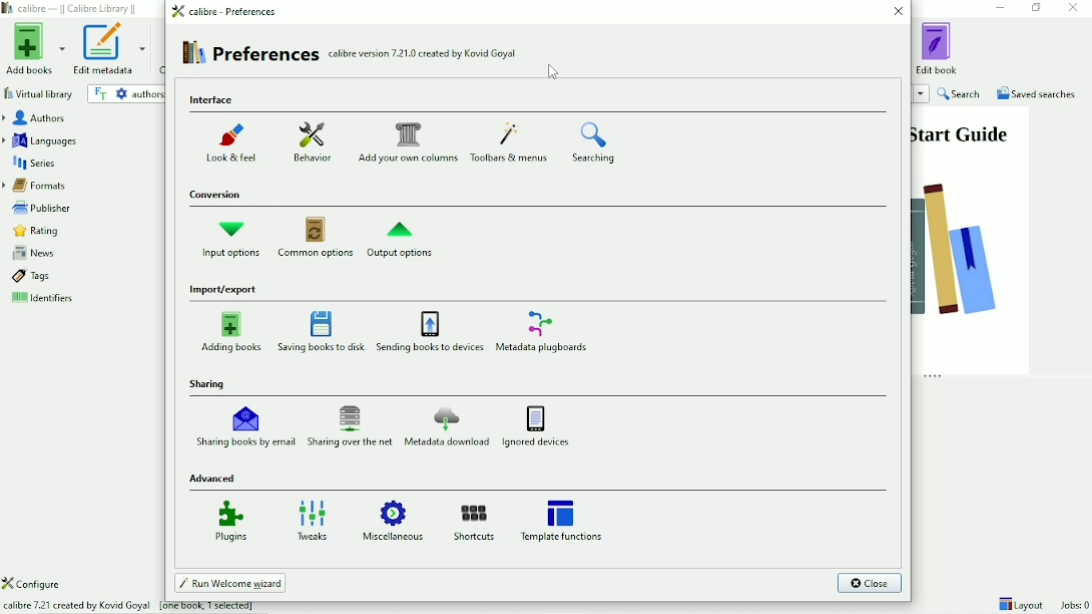 The height and width of the screenshot is (614, 1092). I want to click on Metadata download, so click(448, 427).